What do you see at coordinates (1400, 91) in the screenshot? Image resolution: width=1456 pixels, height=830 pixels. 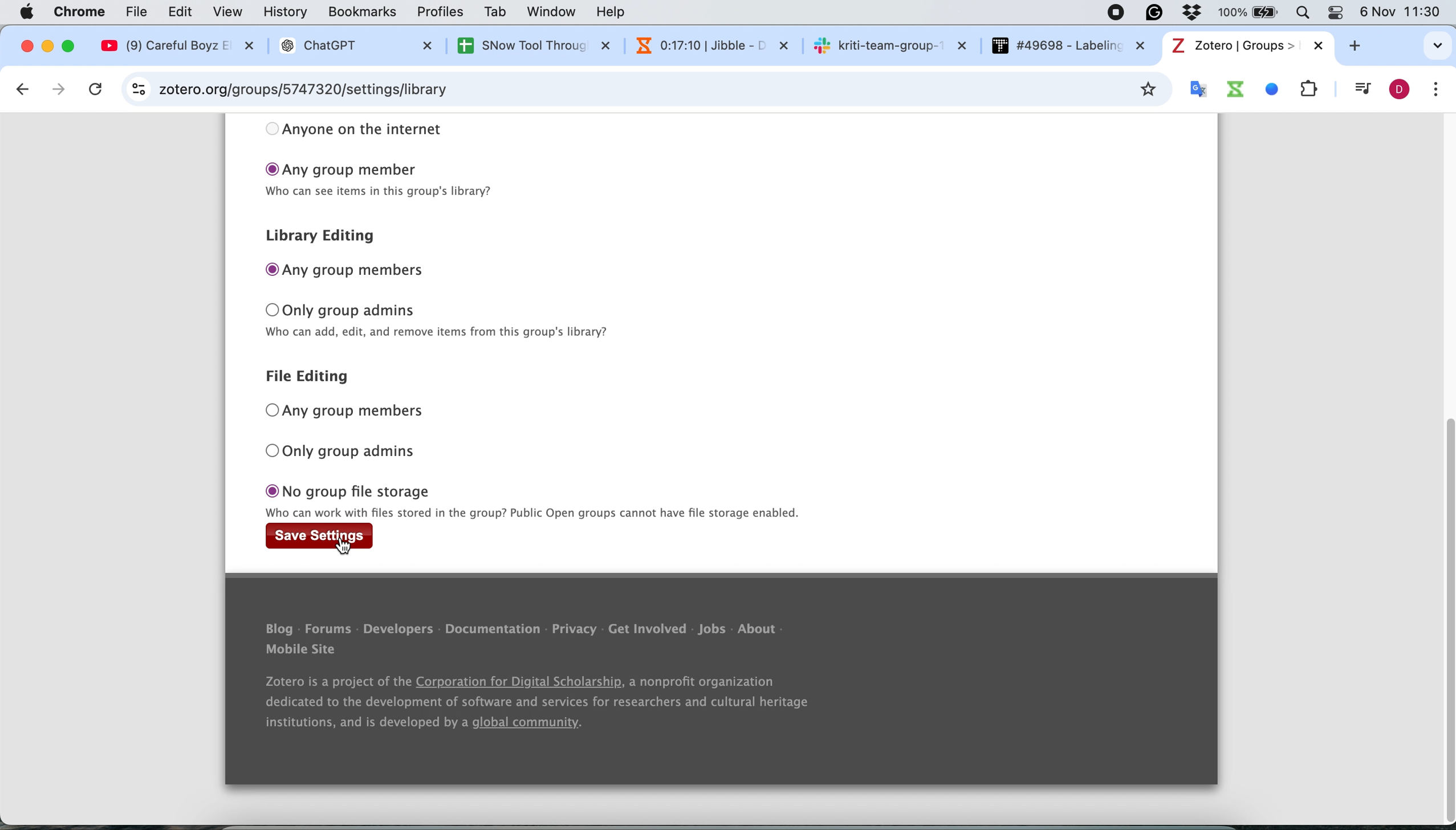 I see `profile` at bounding box center [1400, 91].